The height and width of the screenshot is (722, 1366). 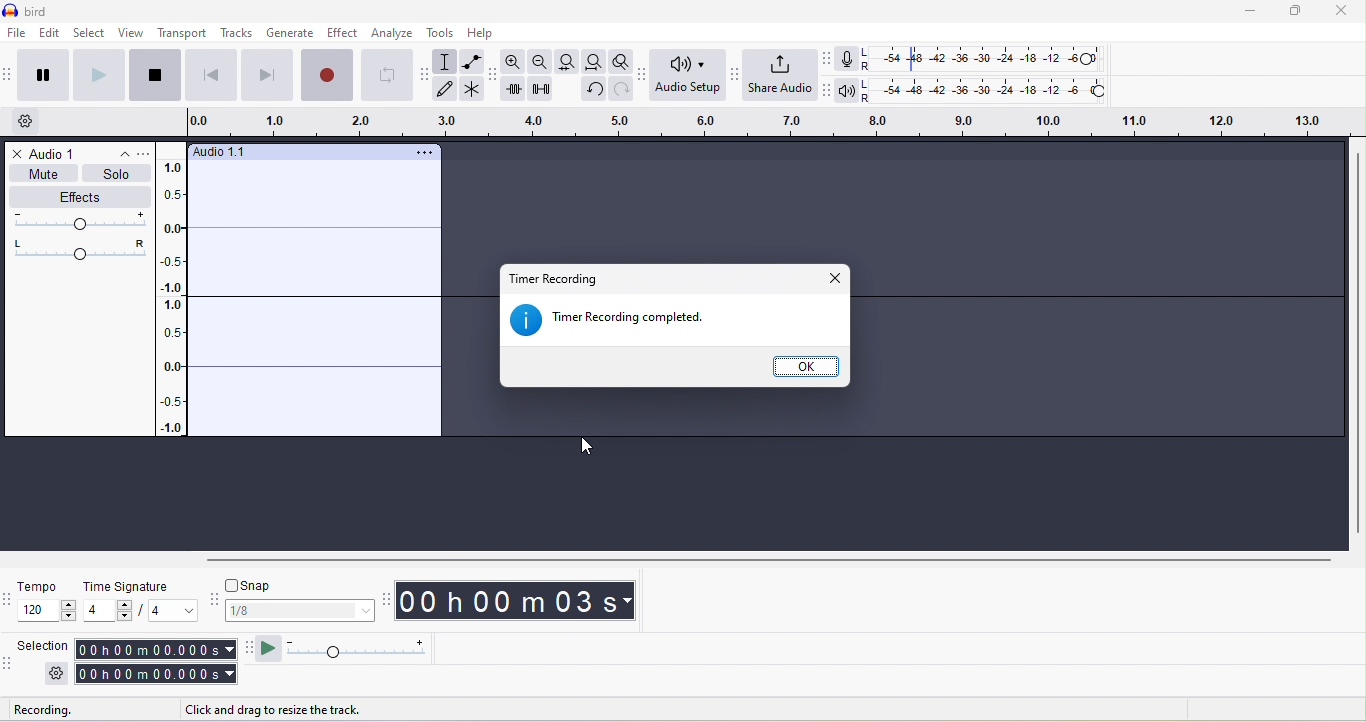 I want to click on Click and drag to resize the track., so click(x=275, y=708).